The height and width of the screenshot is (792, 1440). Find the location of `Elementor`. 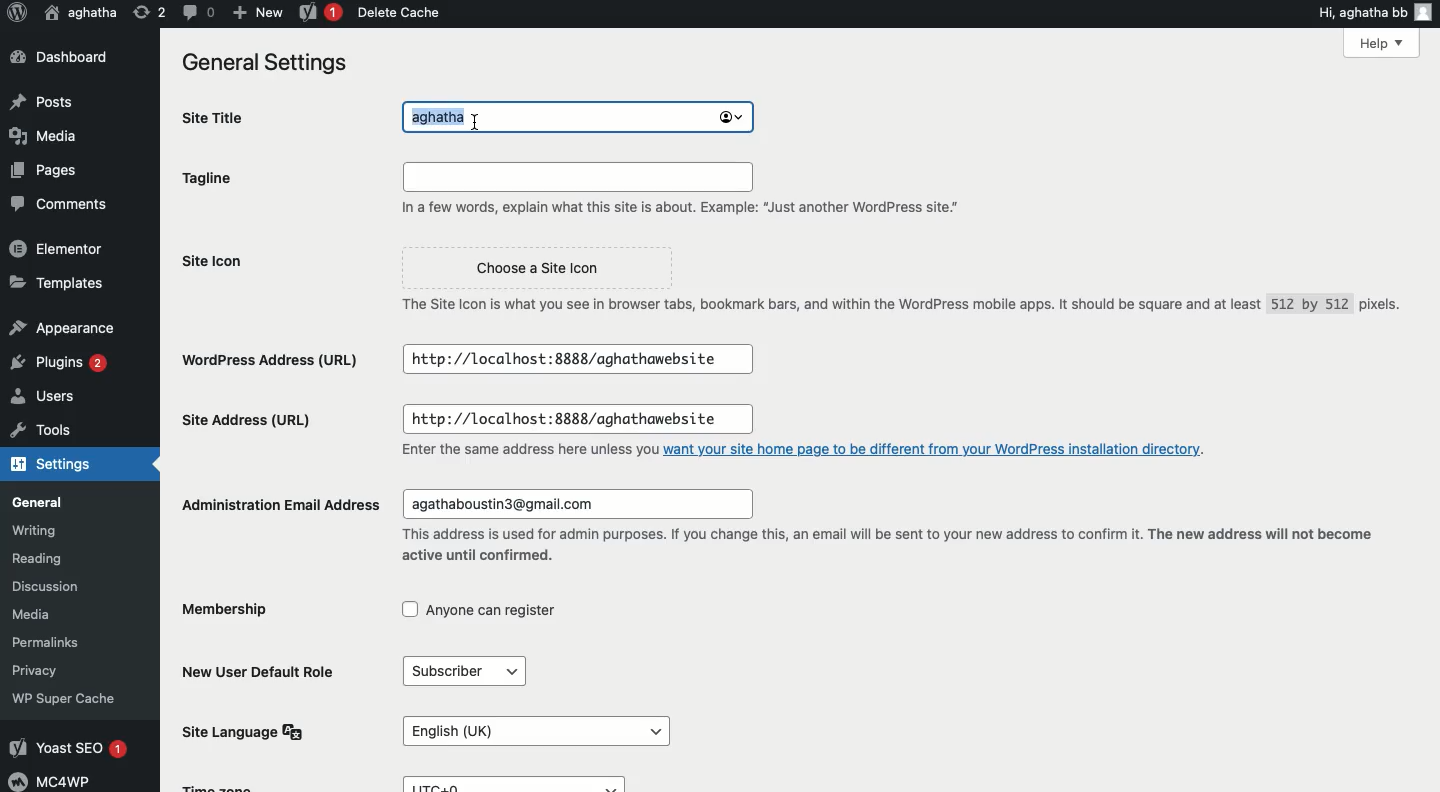

Elementor is located at coordinates (53, 247).